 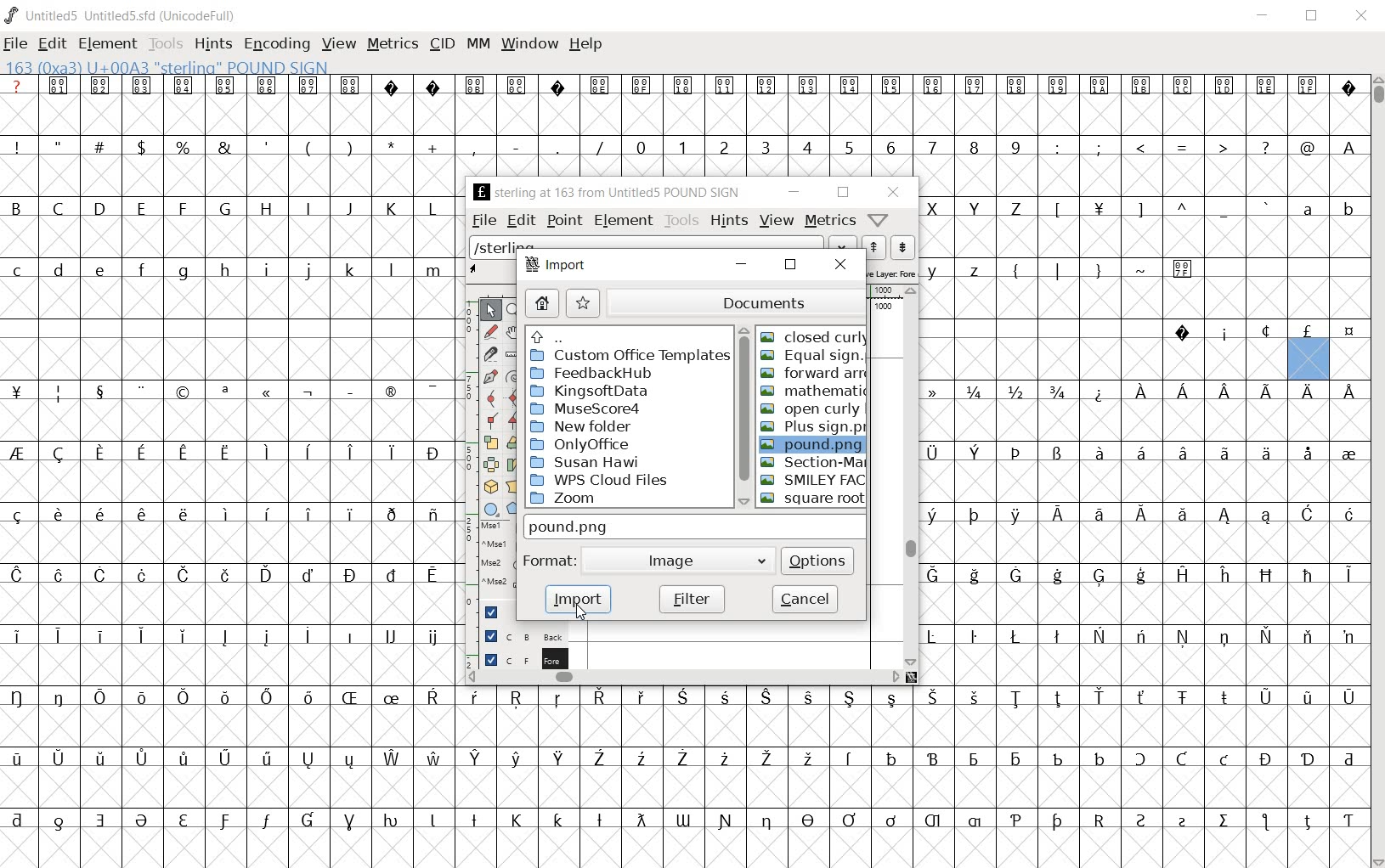 I want to click on Symbol, so click(x=601, y=699).